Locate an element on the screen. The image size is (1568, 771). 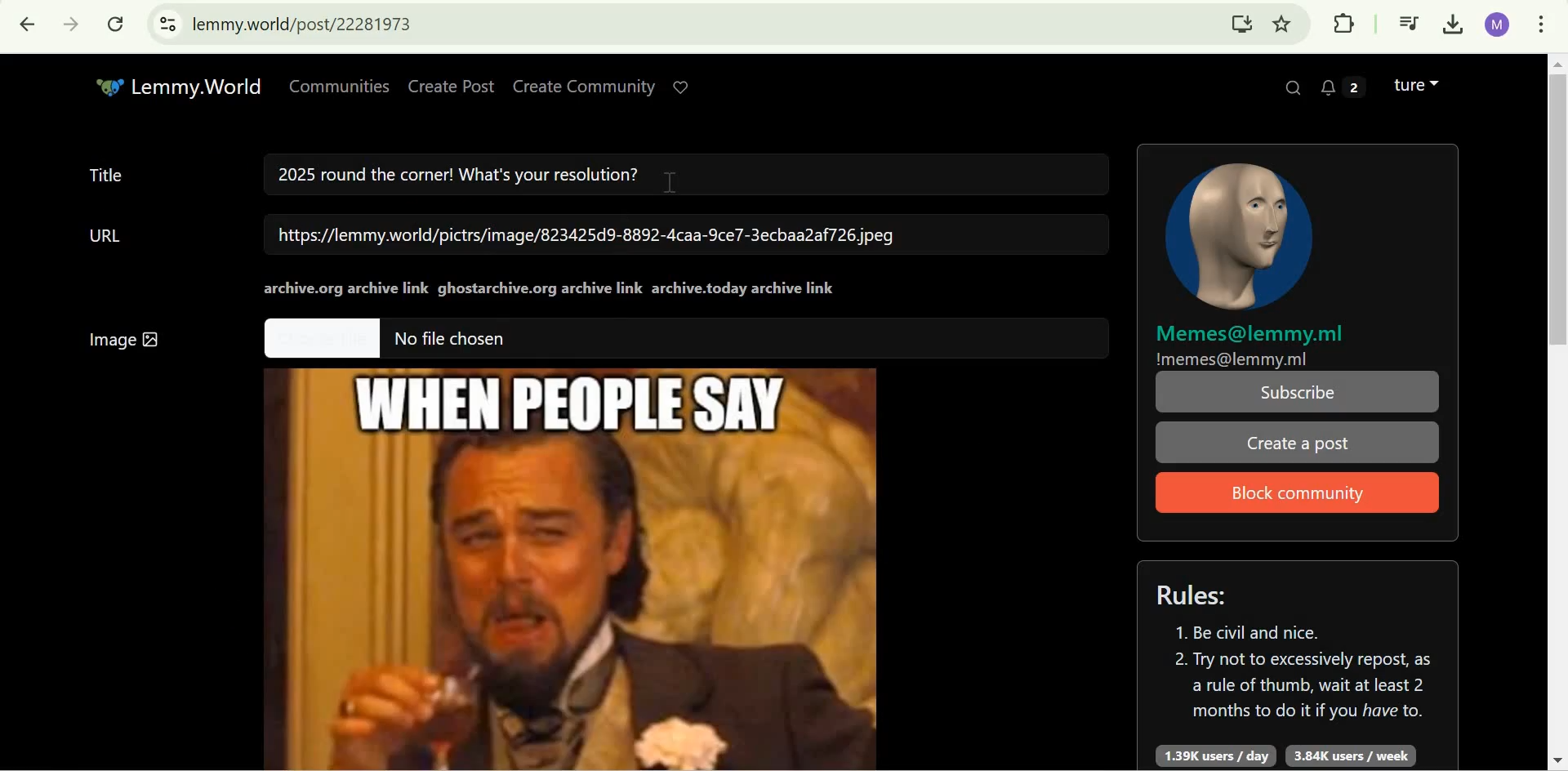
Create Post is located at coordinates (452, 87).